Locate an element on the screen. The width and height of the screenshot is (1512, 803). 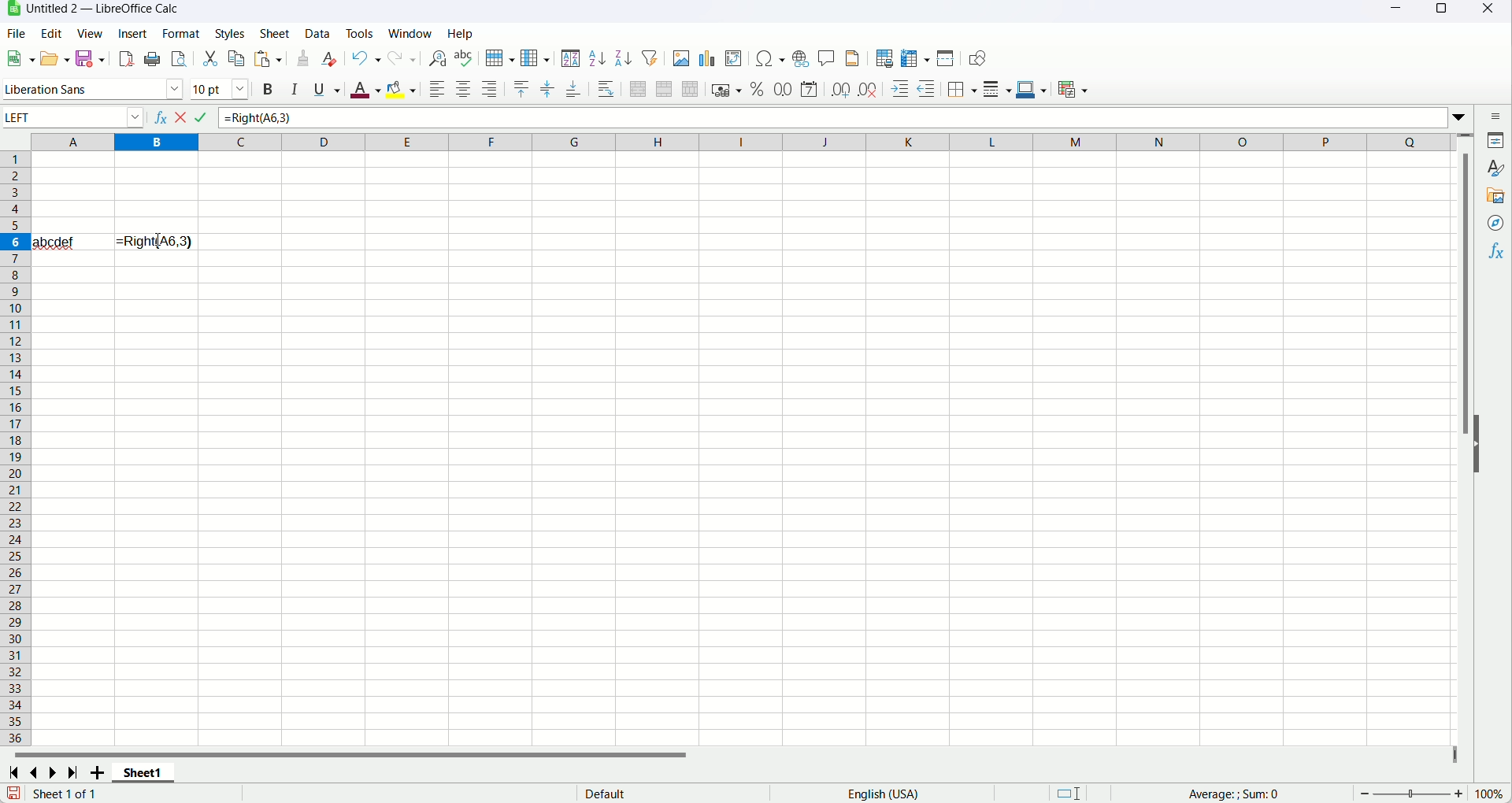
functions is located at coordinates (1494, 253).